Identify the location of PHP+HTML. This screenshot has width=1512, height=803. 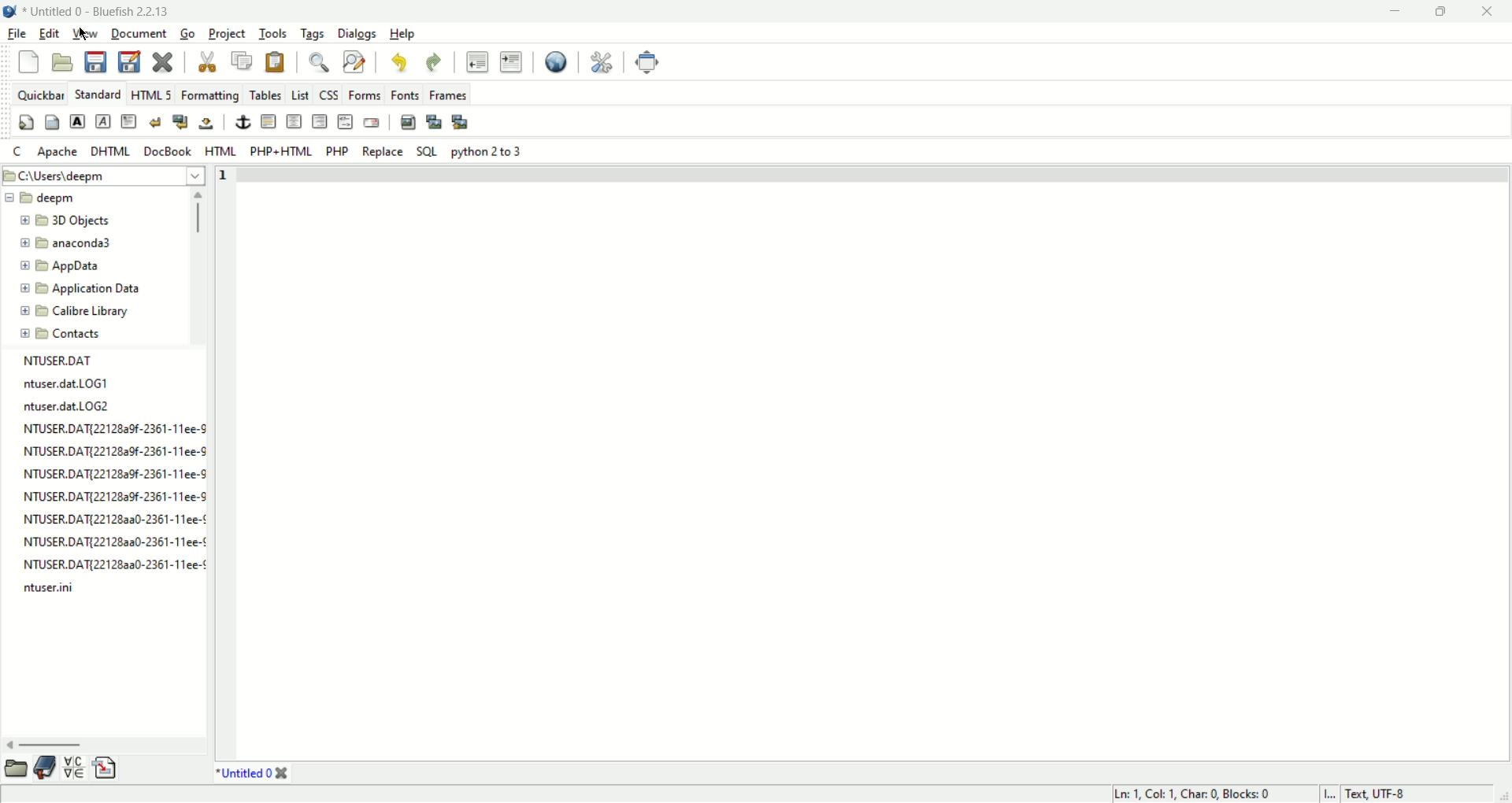
(283, 152).